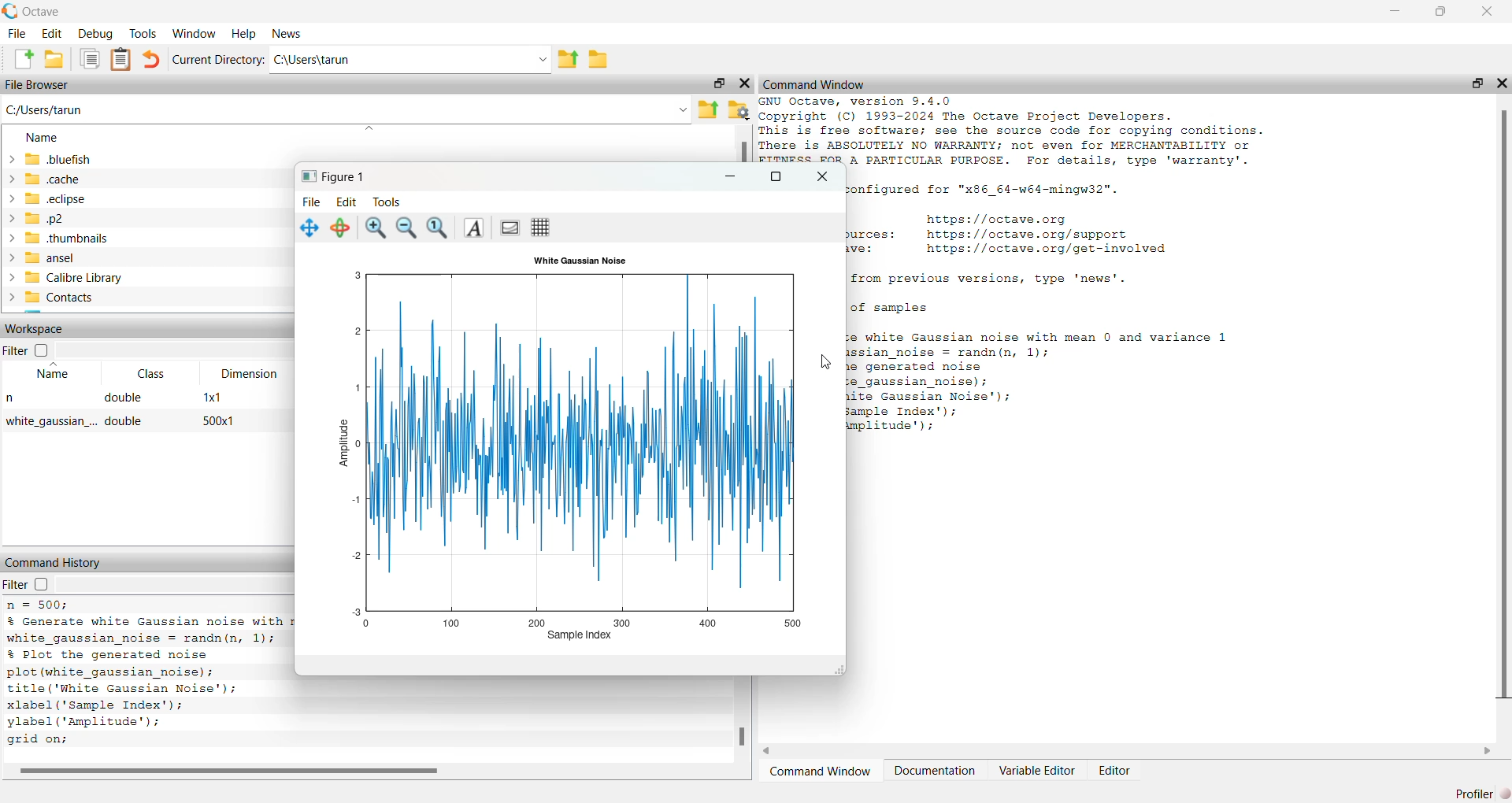 This screenshot has width=1512, height=803. Describe the element at coordinates (710, 112) in the screenshot. I see `parent directory` at that location.